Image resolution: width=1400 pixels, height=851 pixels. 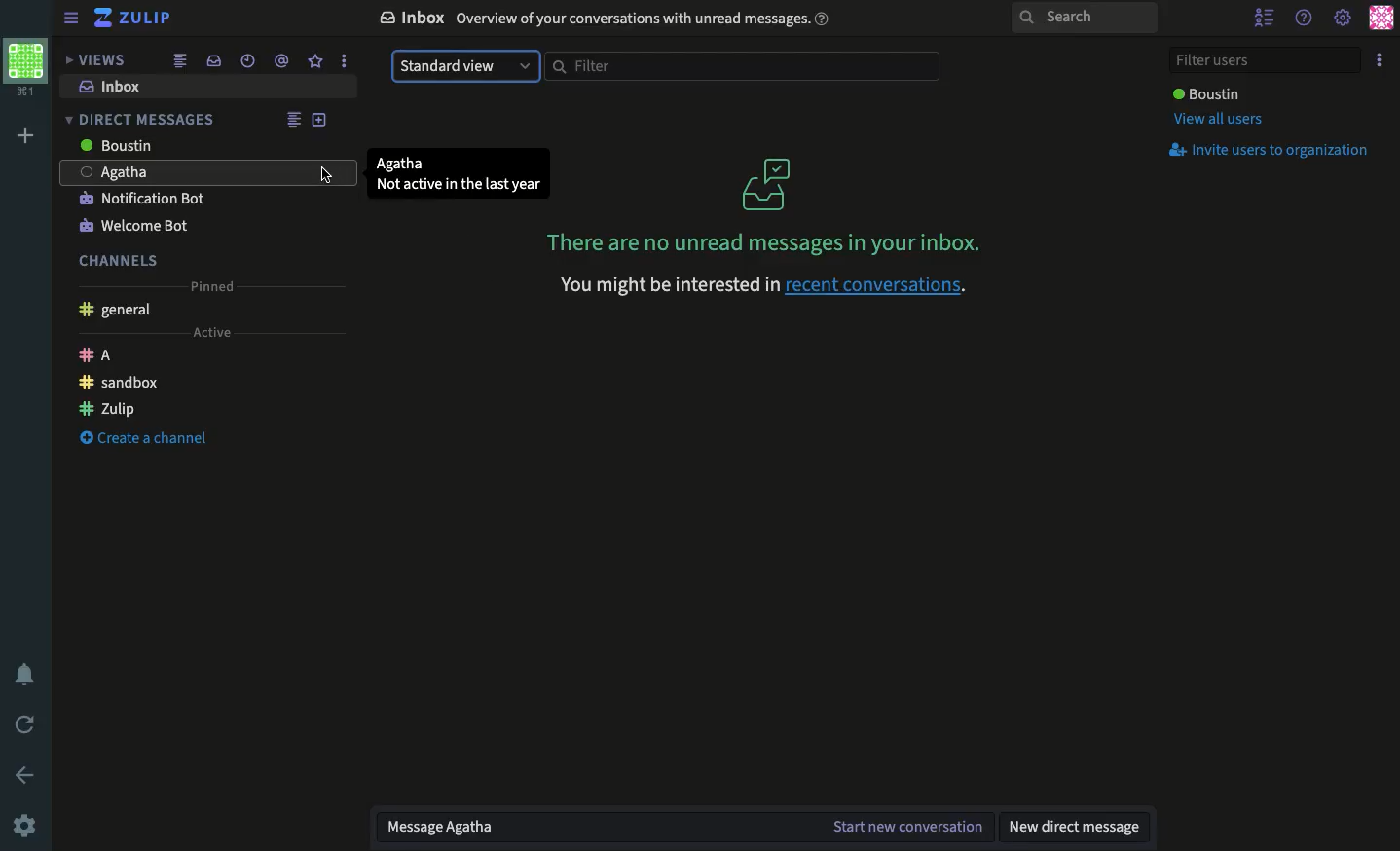 What do you see at coordinates (768, 186) in the screenshot?
I see `No messages logo` at bounding box center [768, 186].